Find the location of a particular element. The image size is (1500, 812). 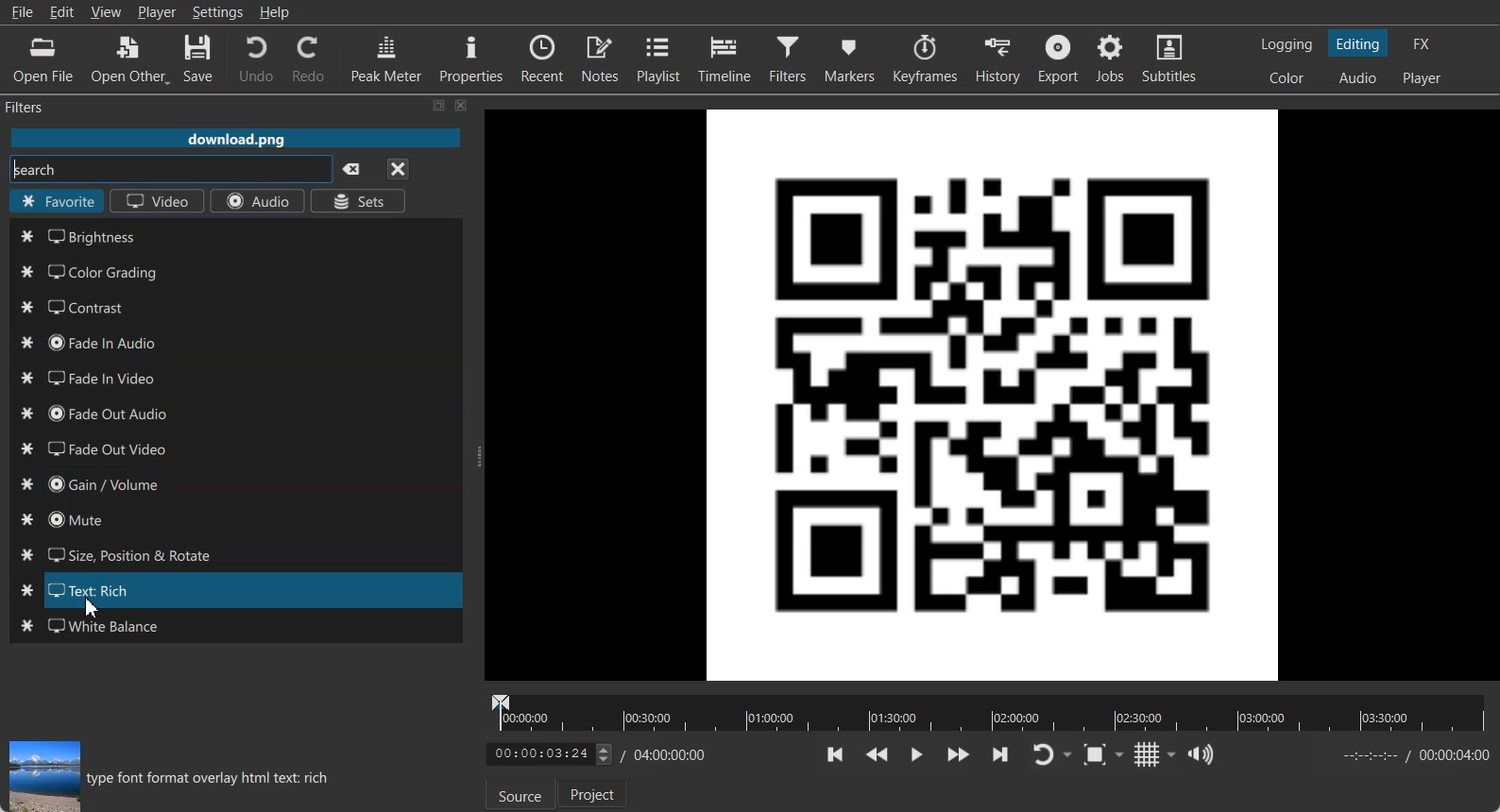

Player is located at coordinates (158, 12).